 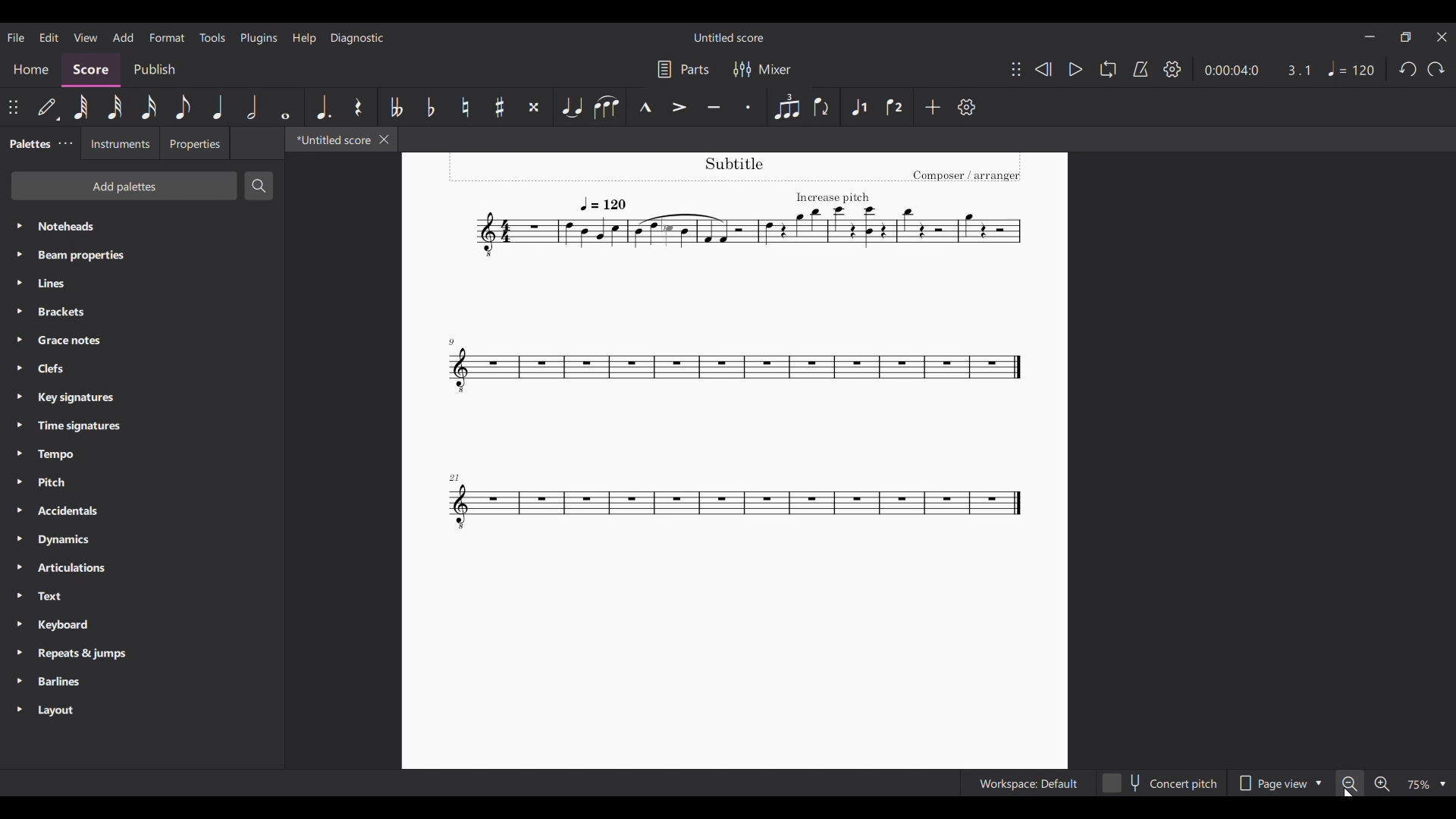 What do you see at coordinates (142, 539) in the screenshot?
I see `Dynamics` at bounding box center [142, 539].